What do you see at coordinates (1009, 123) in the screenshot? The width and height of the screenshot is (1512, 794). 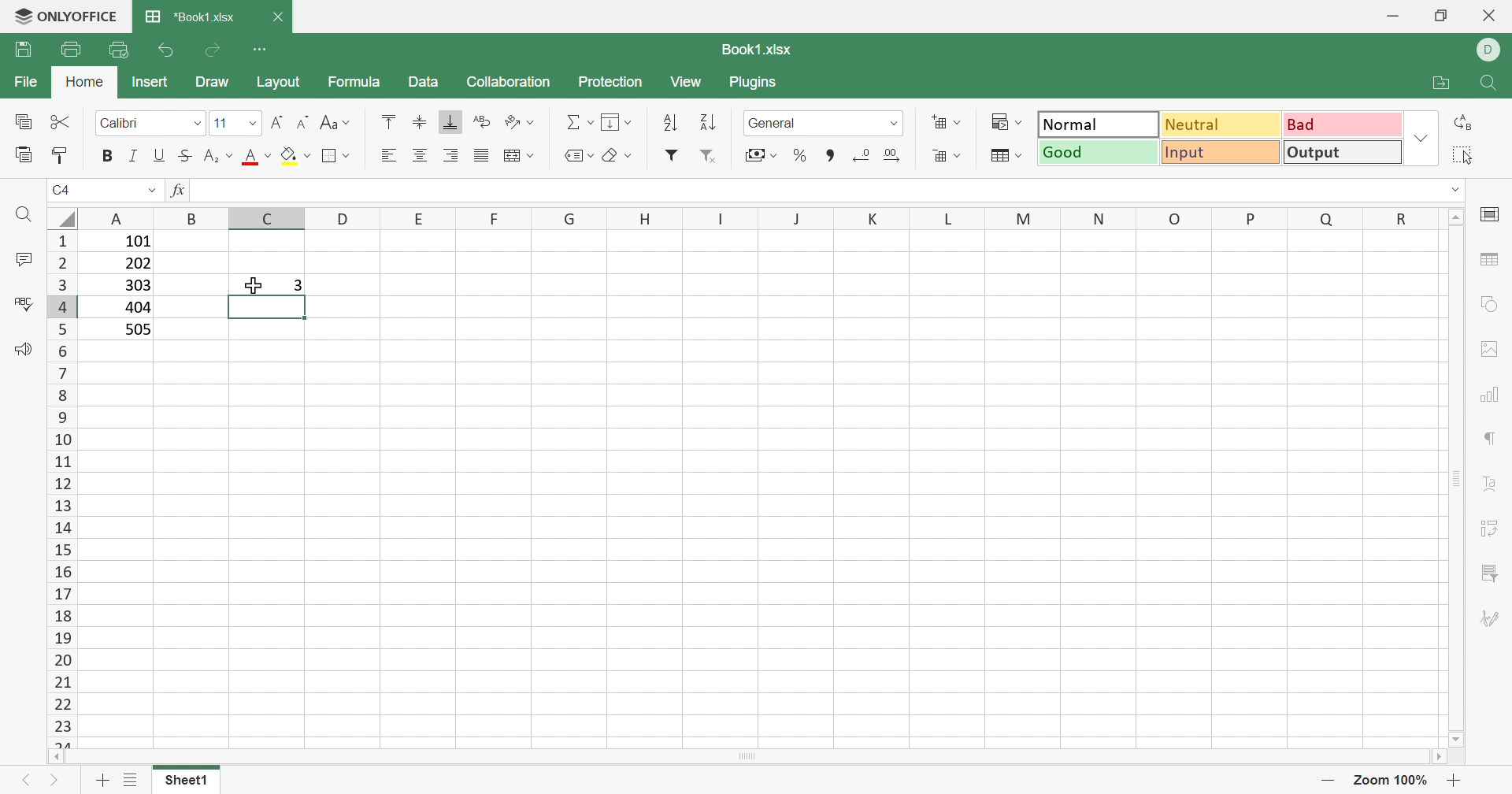 I see `Conditional formatting` at bounding box center [1009, 123].